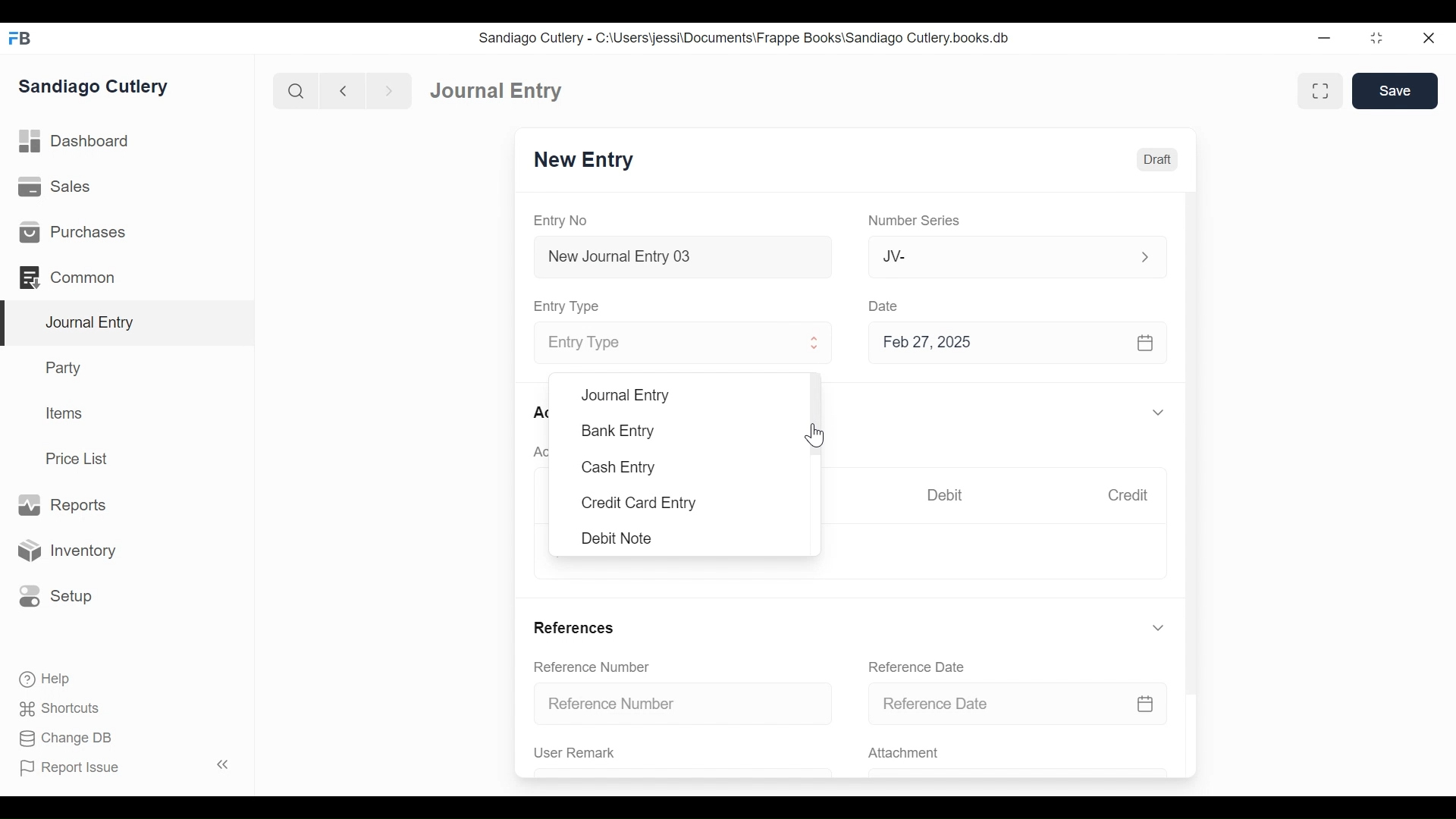  Describe the element at coordinates (663, 343) in the screenshot. I see `Entry Type` at that location.